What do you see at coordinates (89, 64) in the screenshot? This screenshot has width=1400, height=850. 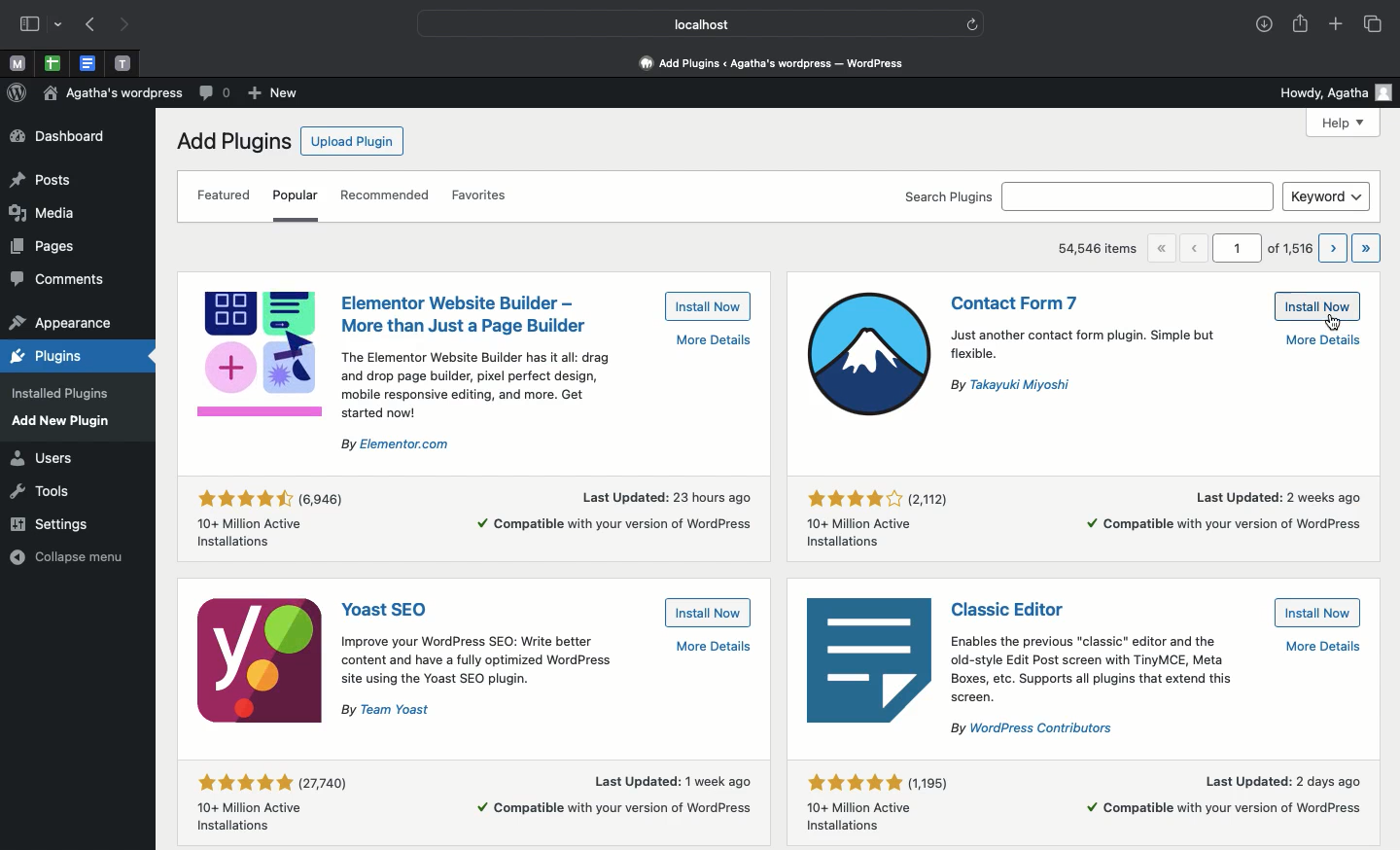 I see `Pinned tabs` at bounding box center [89, 64].